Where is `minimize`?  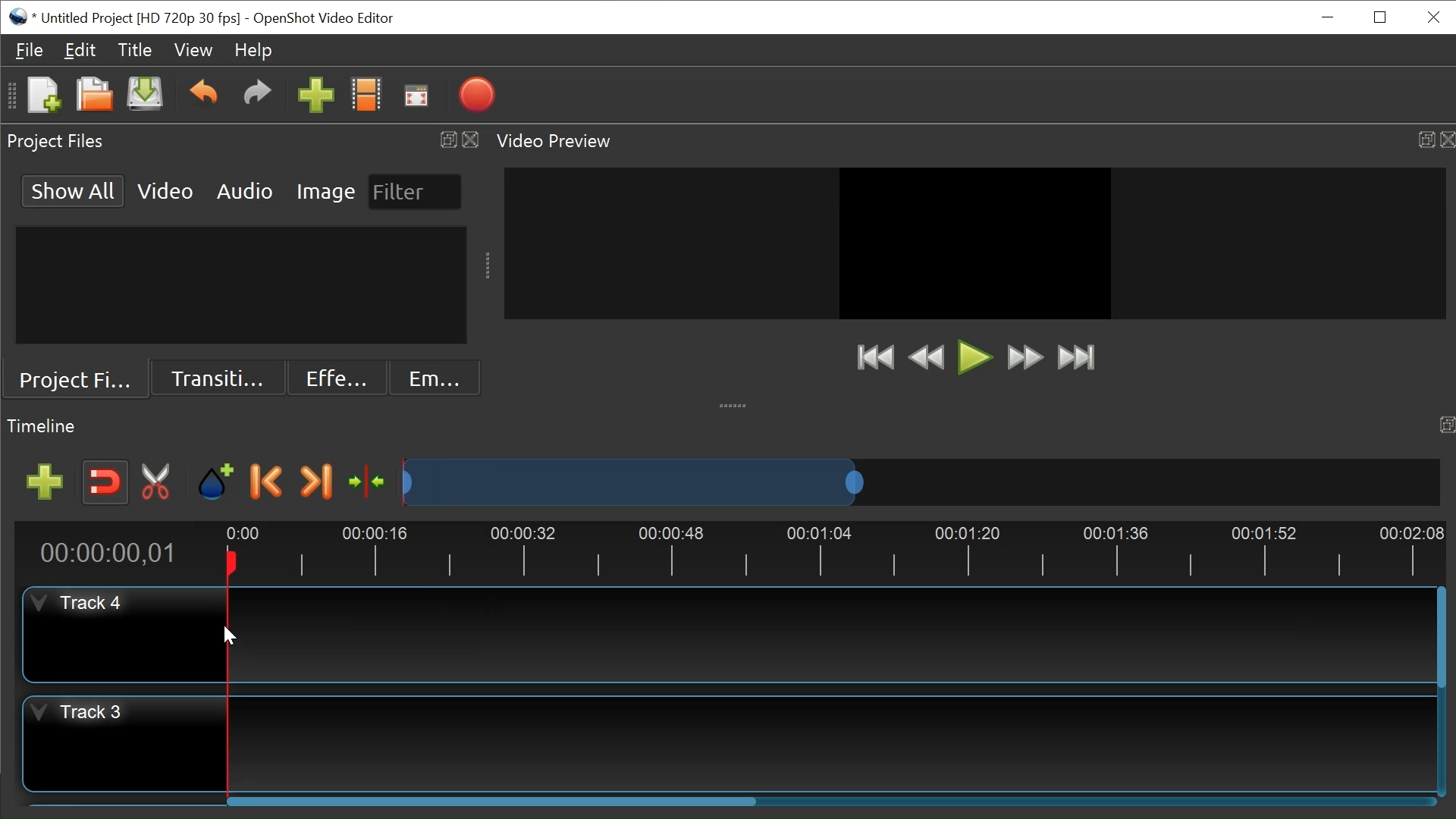 minimize is located at coordinates (1326, 17).